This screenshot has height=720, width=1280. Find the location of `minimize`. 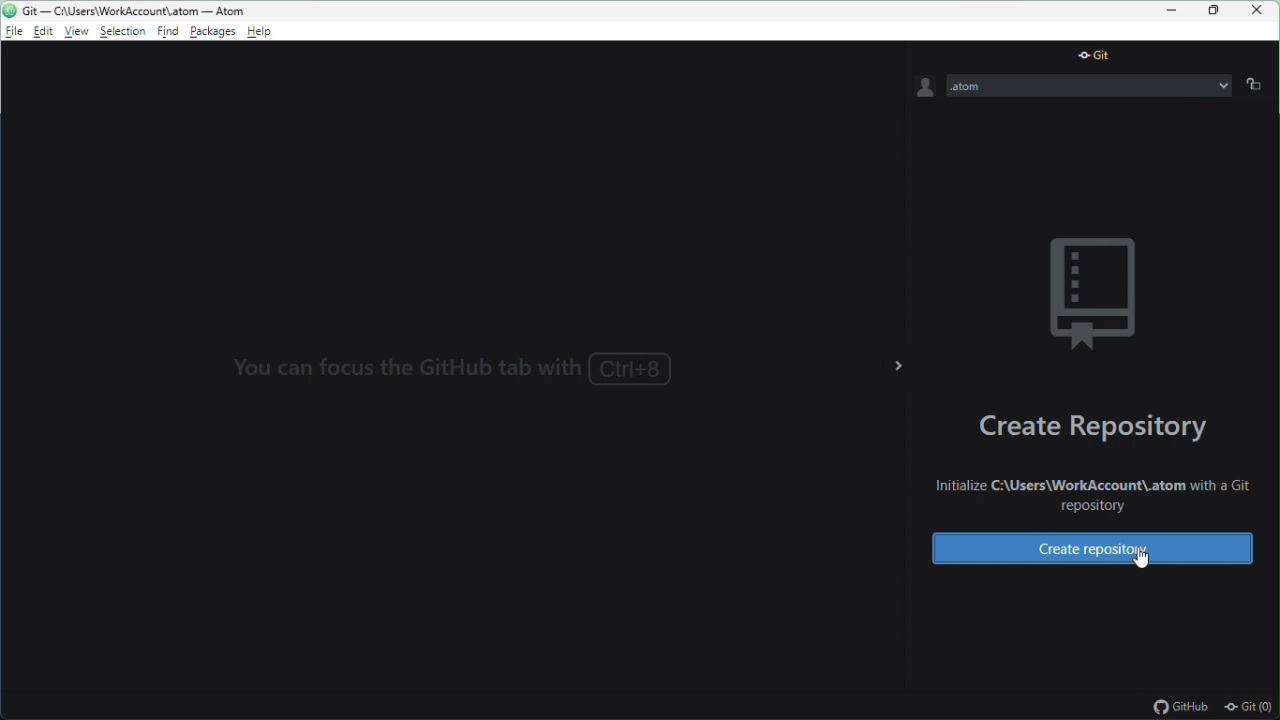

minimize is located at coordinates (1177, 11).